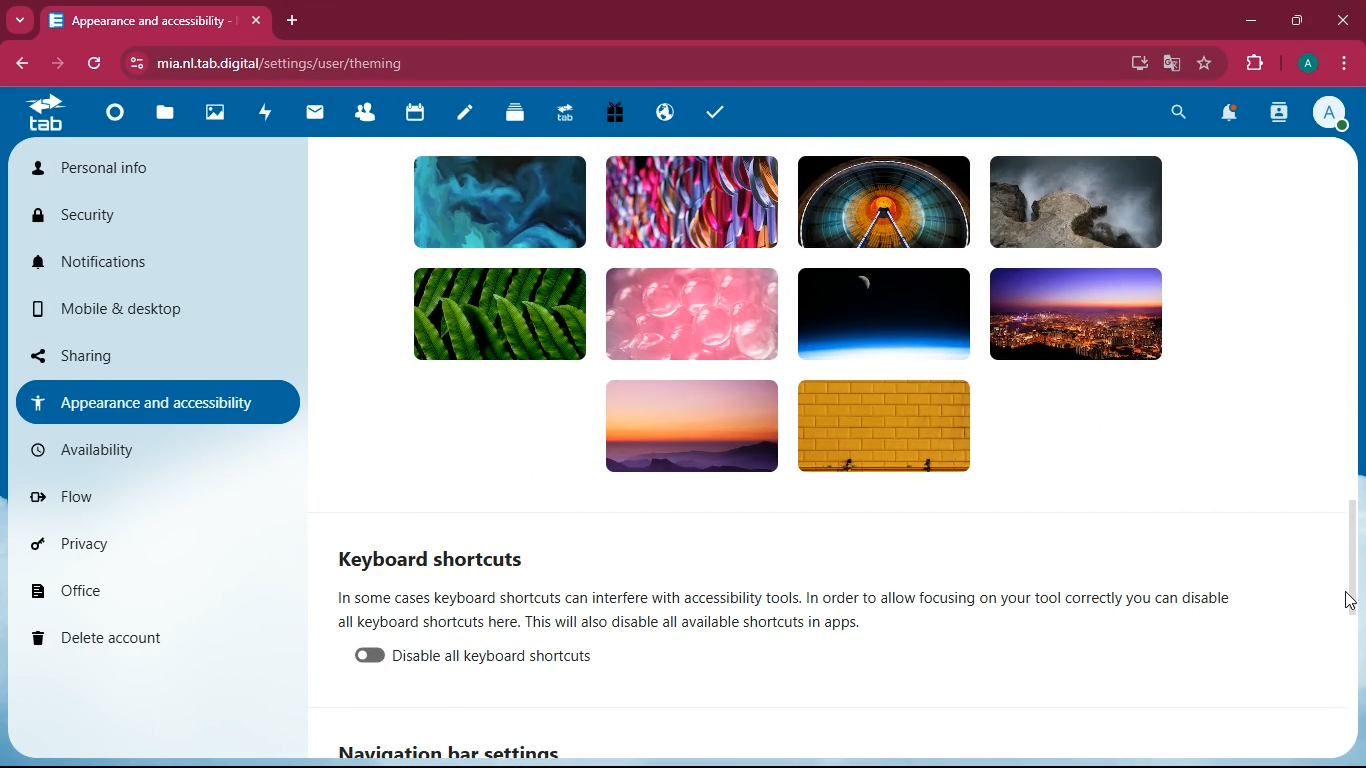 Image resolution: width=1366 pixels, height=768 pixels. Describe the element at coordinates (1205, 64) in the screenshot. I see `favourite` at that location.